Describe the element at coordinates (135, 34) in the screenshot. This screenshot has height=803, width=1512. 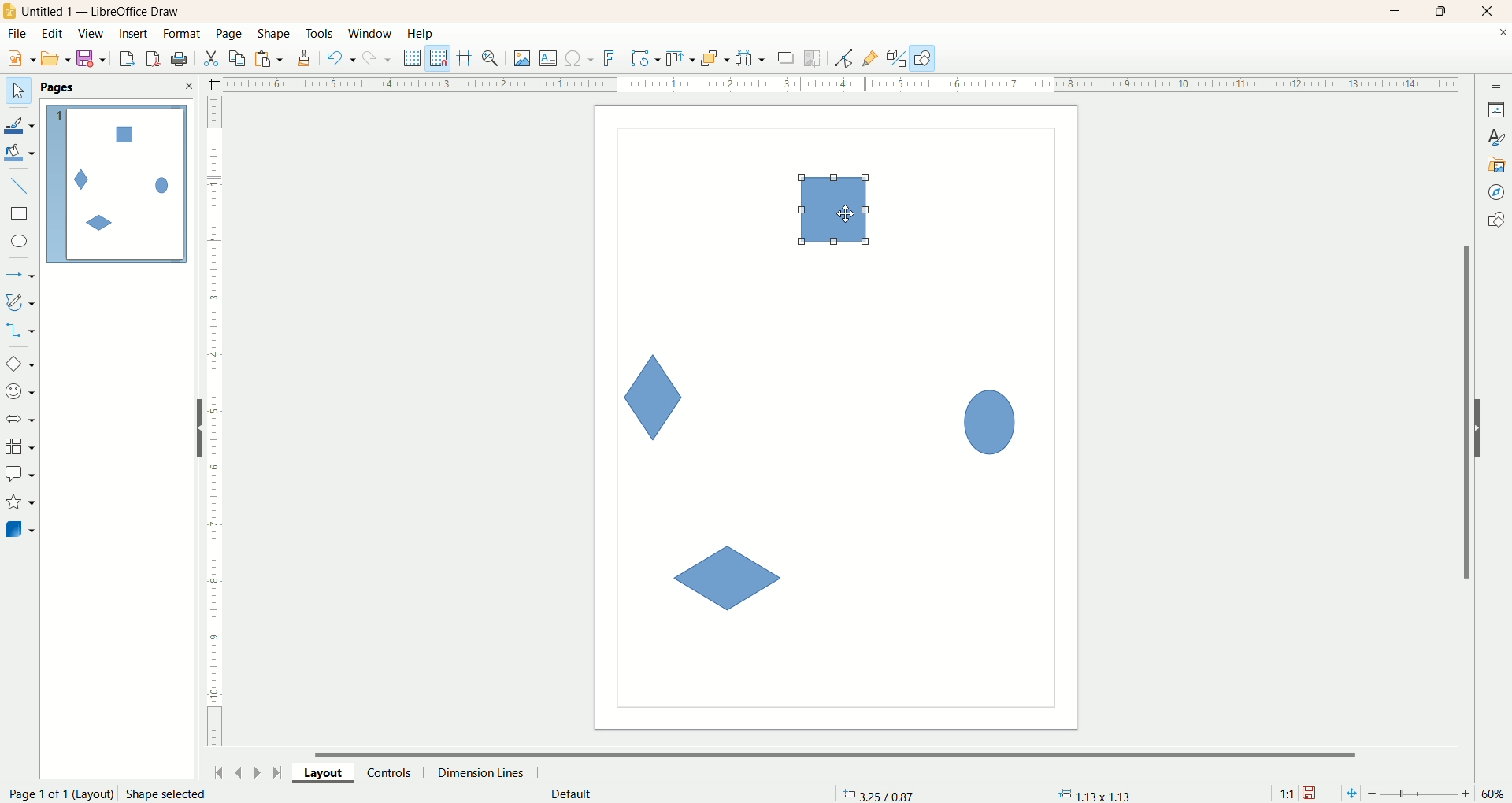
I see `insert` at that location.